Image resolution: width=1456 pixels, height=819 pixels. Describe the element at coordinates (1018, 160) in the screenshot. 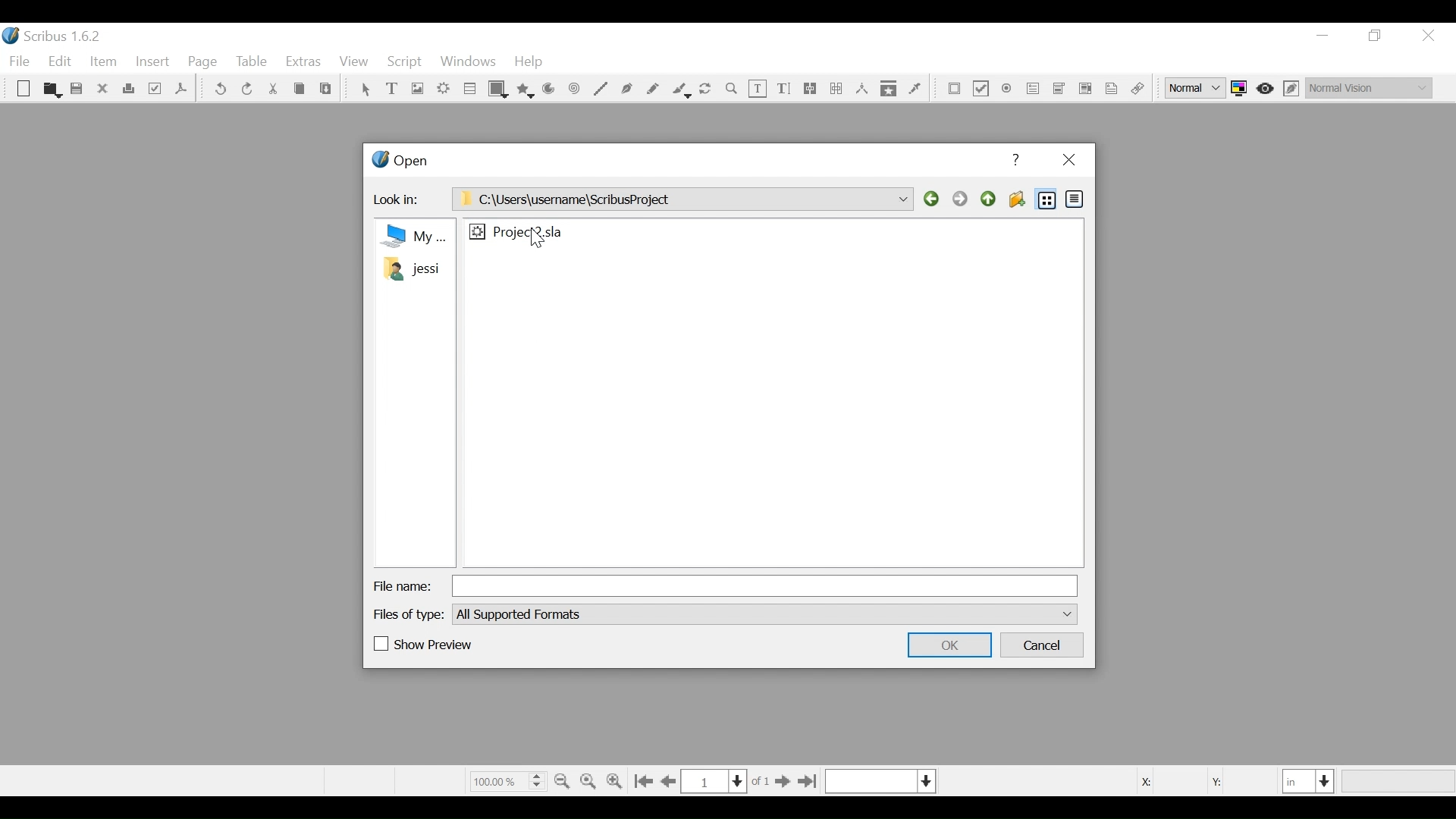

I see `Help` at that location.